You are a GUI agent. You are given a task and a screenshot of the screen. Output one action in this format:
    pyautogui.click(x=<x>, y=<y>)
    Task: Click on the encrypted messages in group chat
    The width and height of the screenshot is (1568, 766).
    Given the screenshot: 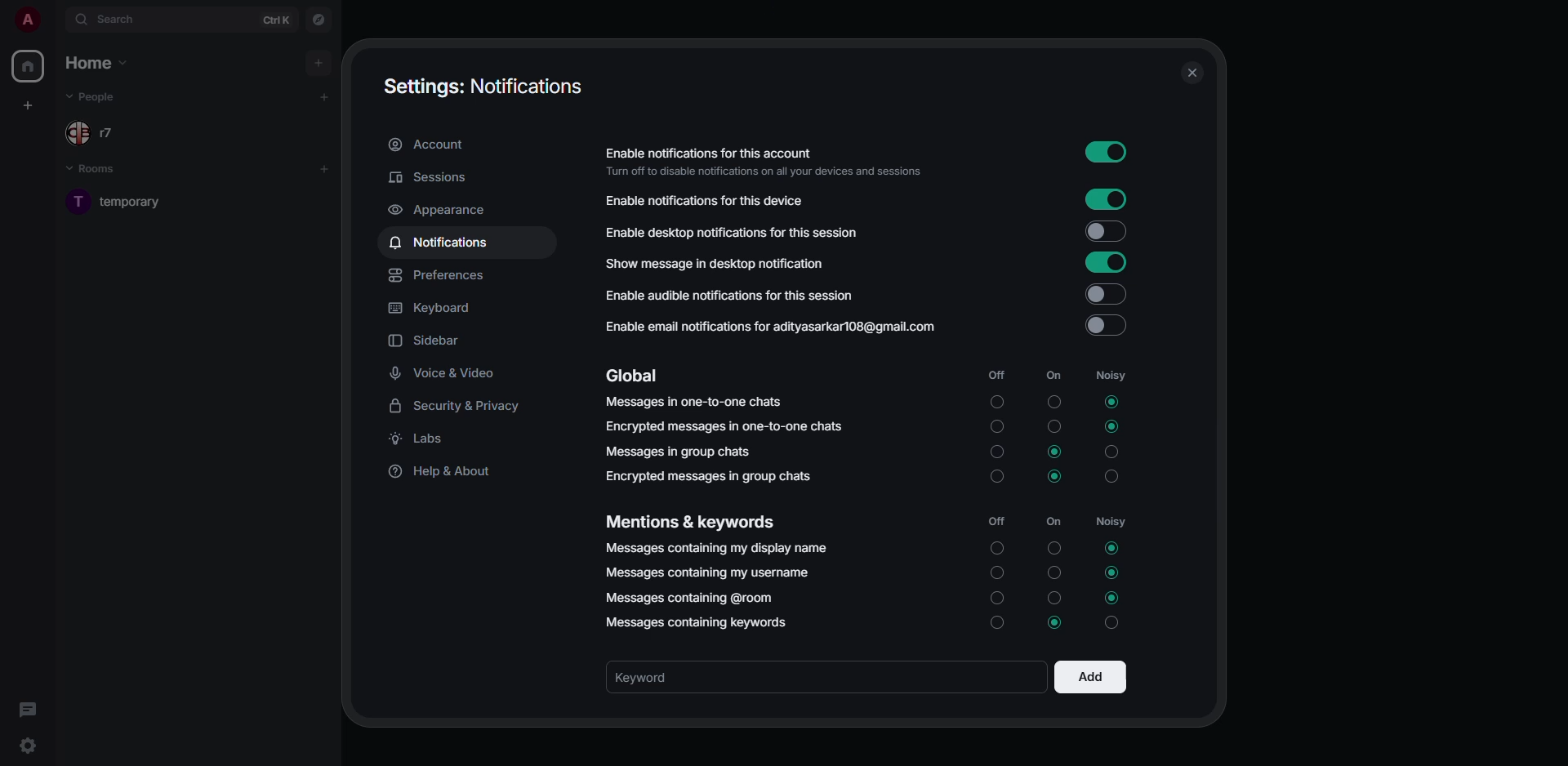 What is the action you would take?
    pyautogui.click(x=712, y=475)
    